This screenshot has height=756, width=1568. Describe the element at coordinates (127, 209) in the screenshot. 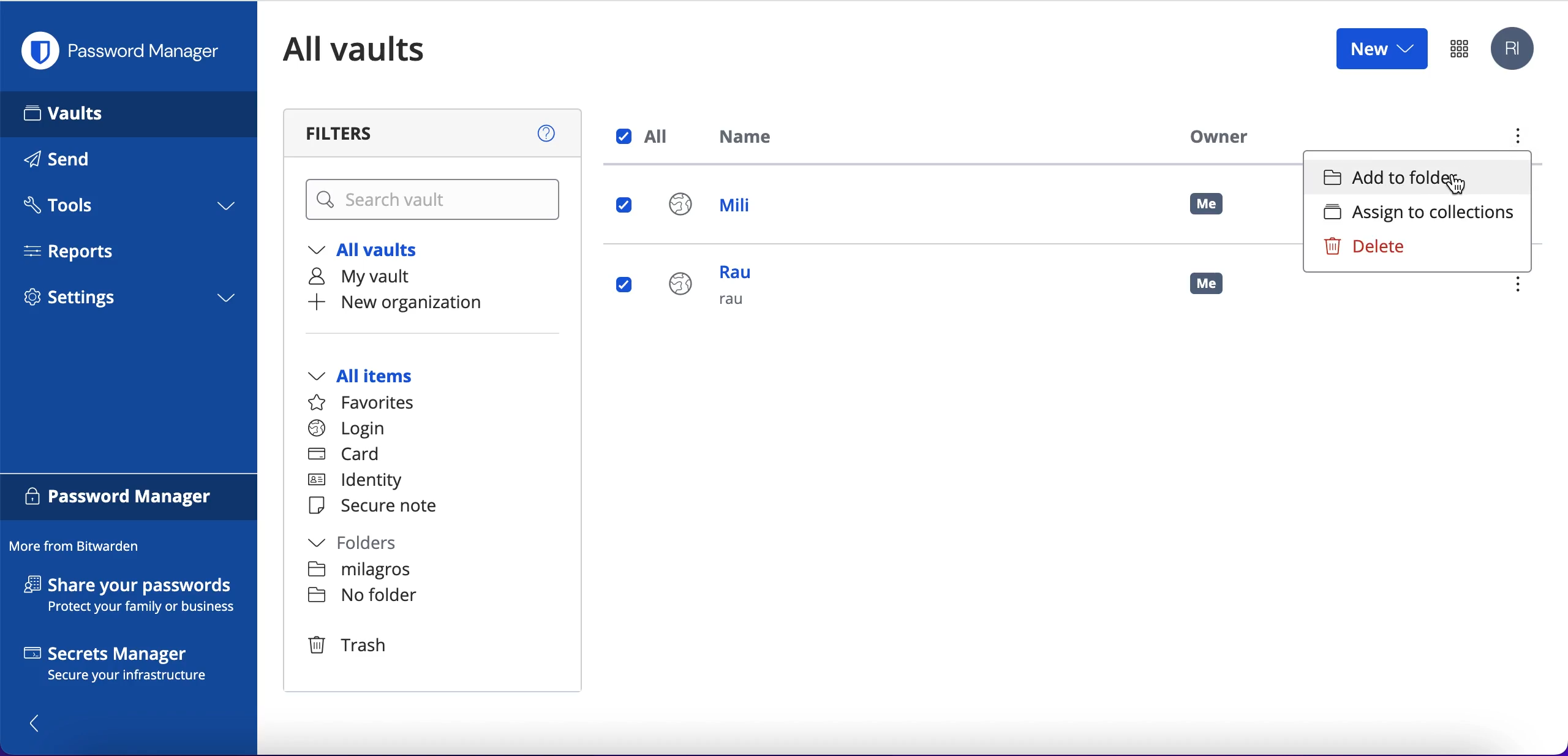

I see `tools` at that location.